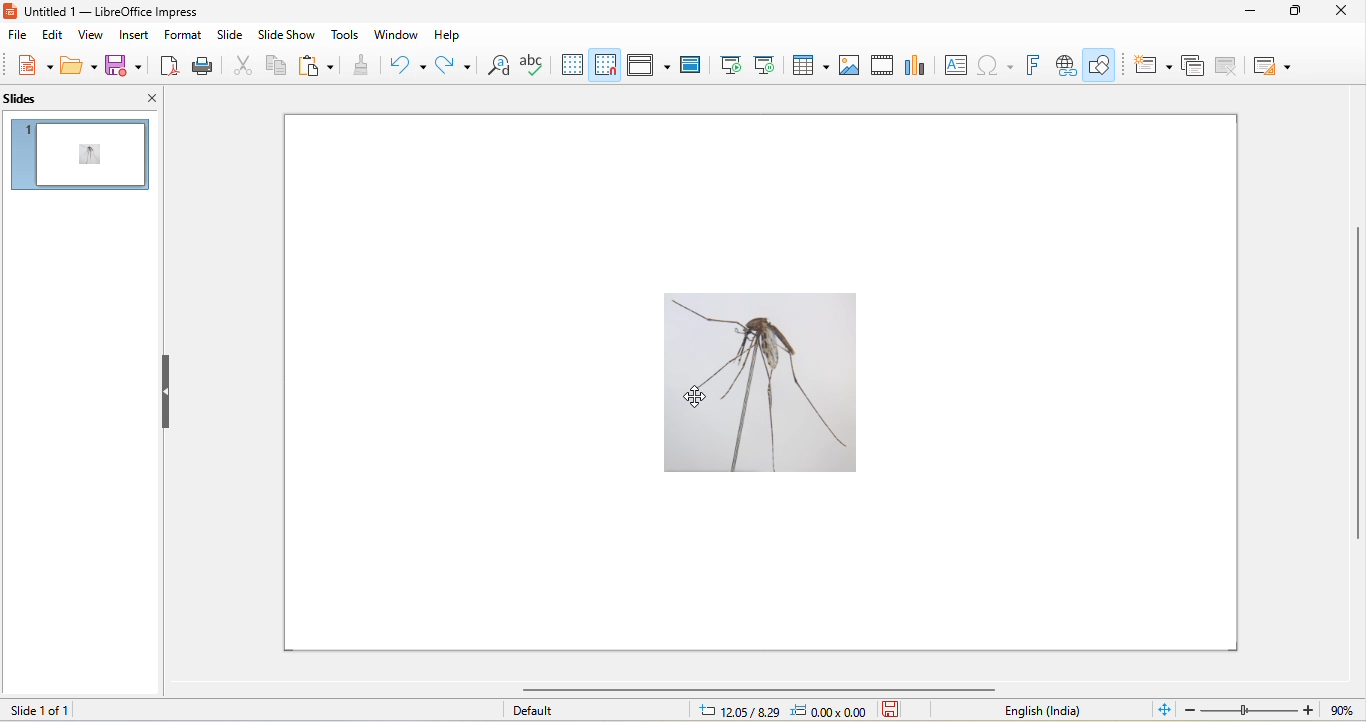 The image size is (1366, 722). Describe the element at coordinates (1066, 67) in the screenshot. I see `insert hyperlink` at that location.